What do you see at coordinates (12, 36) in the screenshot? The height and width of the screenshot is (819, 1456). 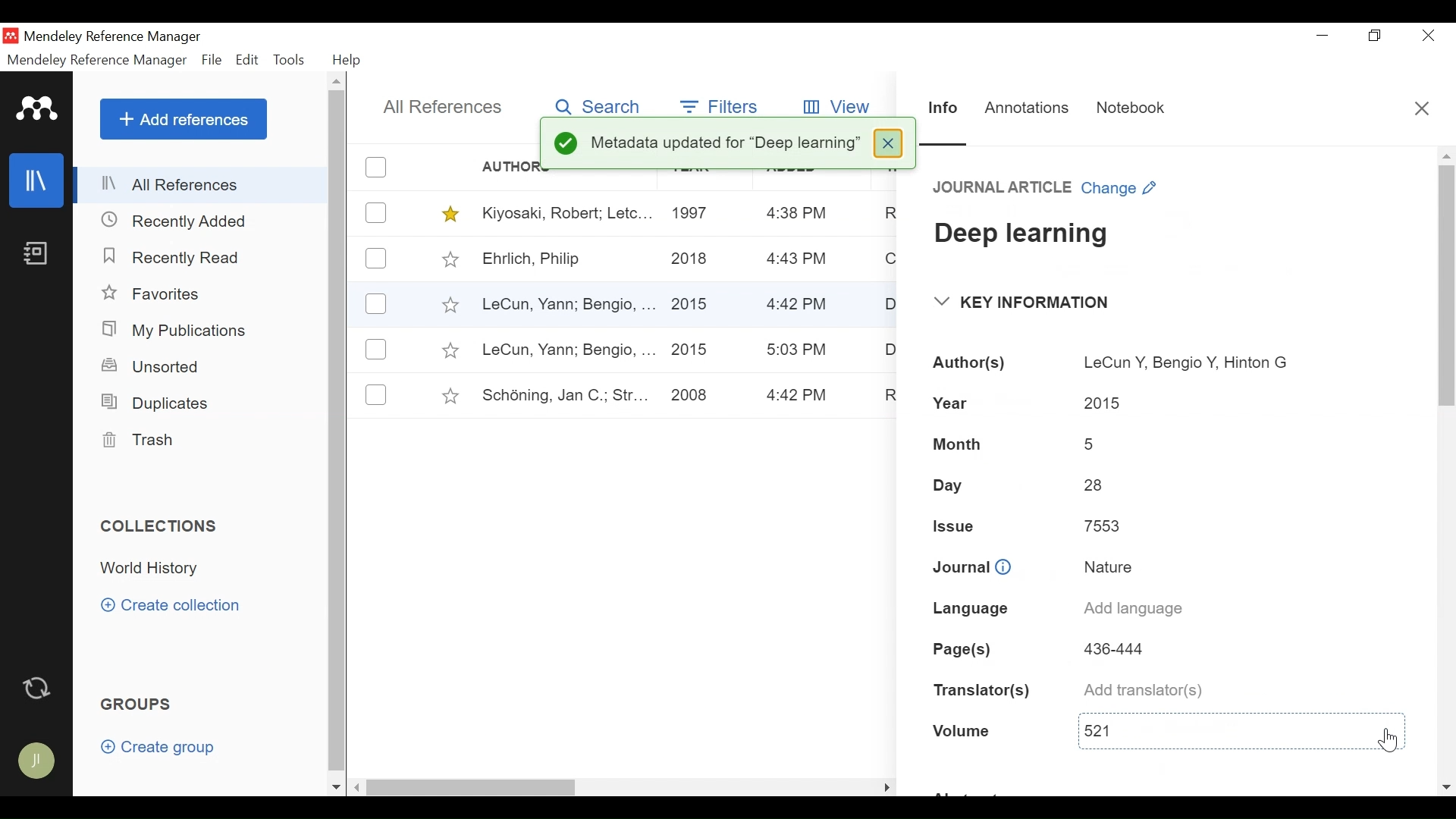 I see `Mendeley Desktop Icon` at bounding box center [12, 36].